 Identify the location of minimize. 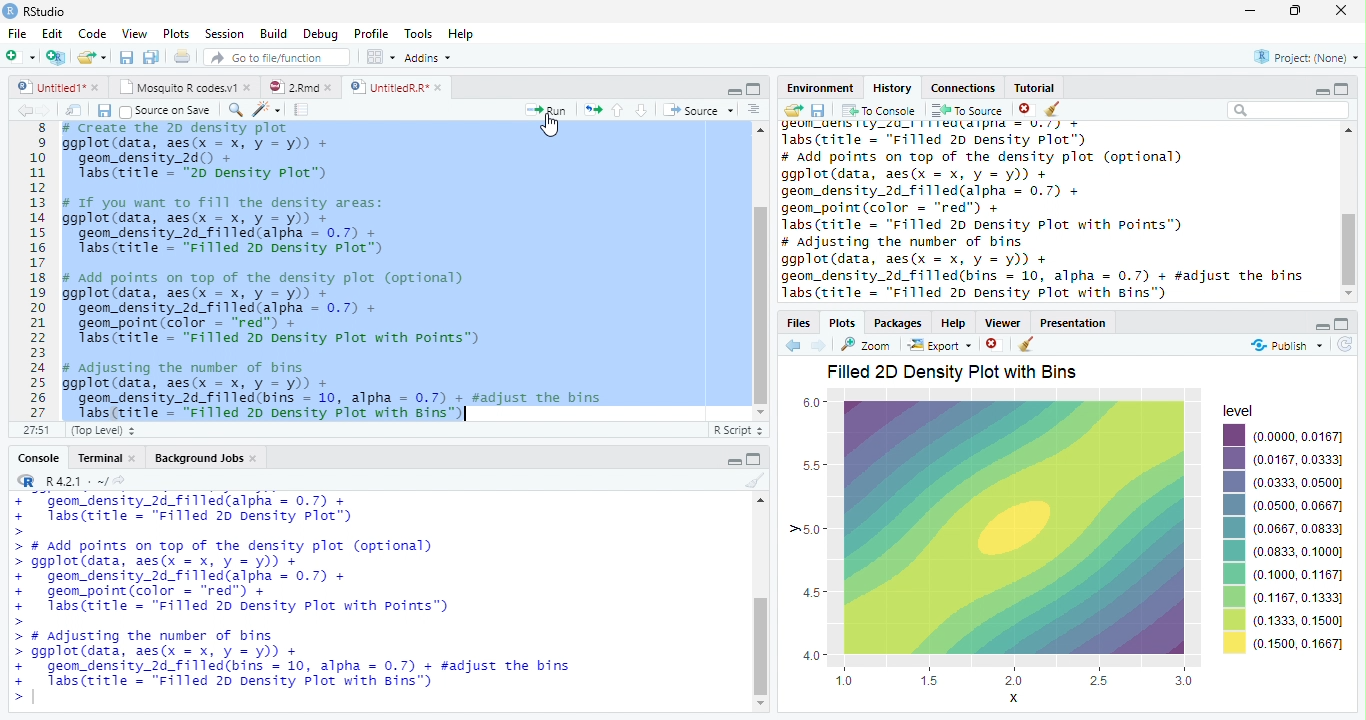
(735, 92).